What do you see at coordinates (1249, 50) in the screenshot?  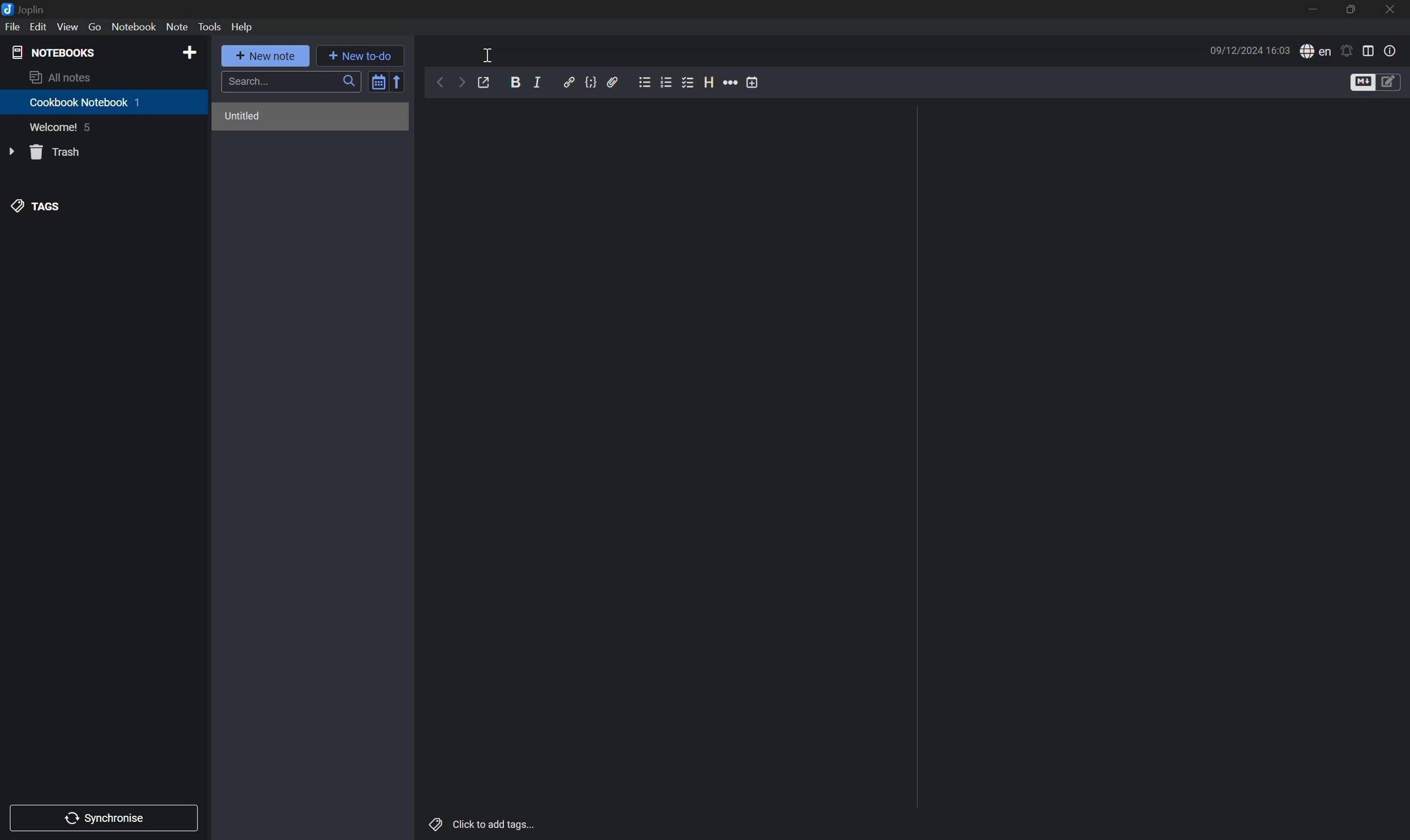 I see `09/12/2024 16:03` at bounding box center [1249, 50].